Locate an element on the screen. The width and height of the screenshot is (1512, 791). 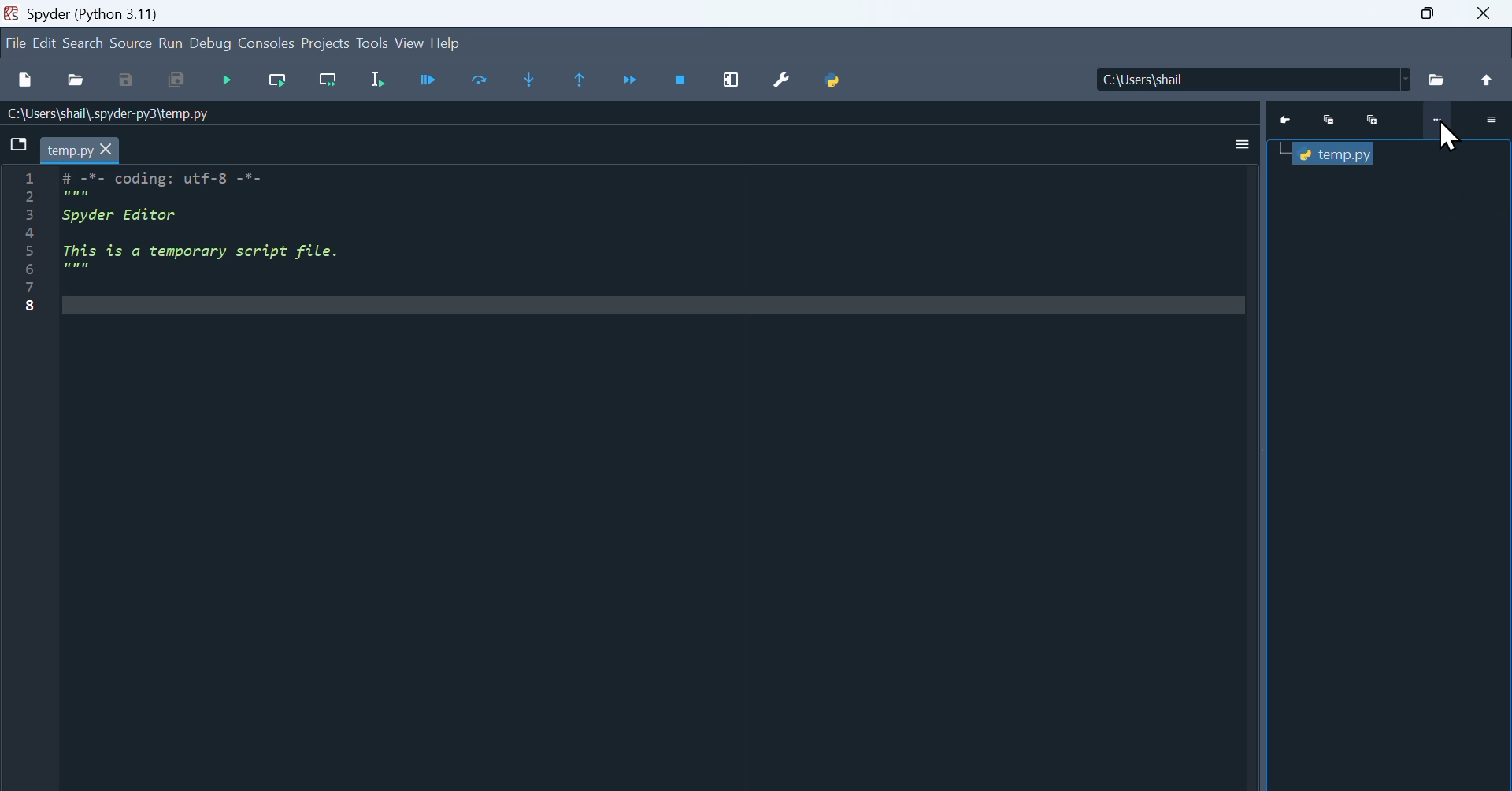
Python path manager is located at coordinates (833, 81).